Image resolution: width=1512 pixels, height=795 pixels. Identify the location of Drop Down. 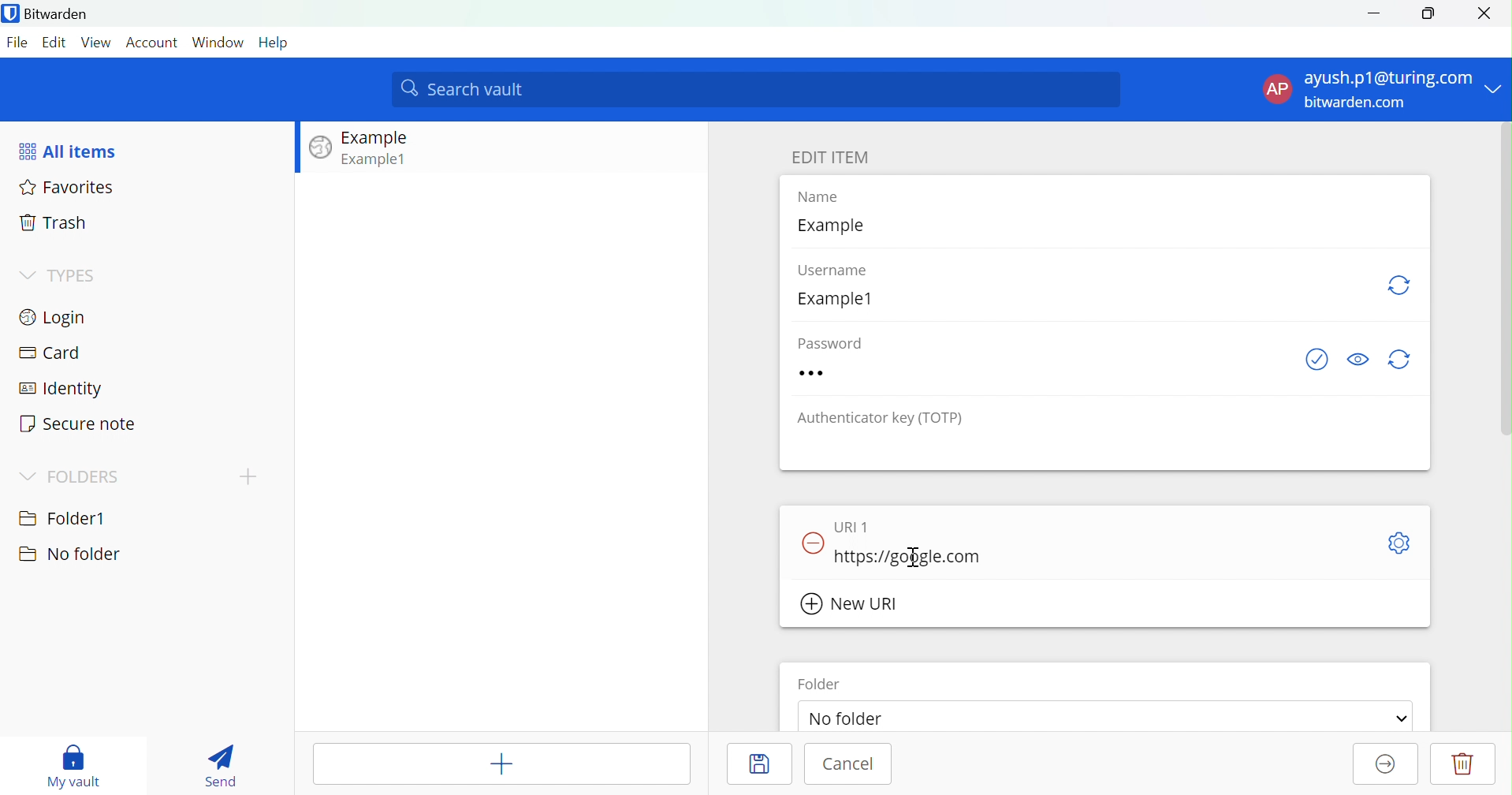
(25, 274).